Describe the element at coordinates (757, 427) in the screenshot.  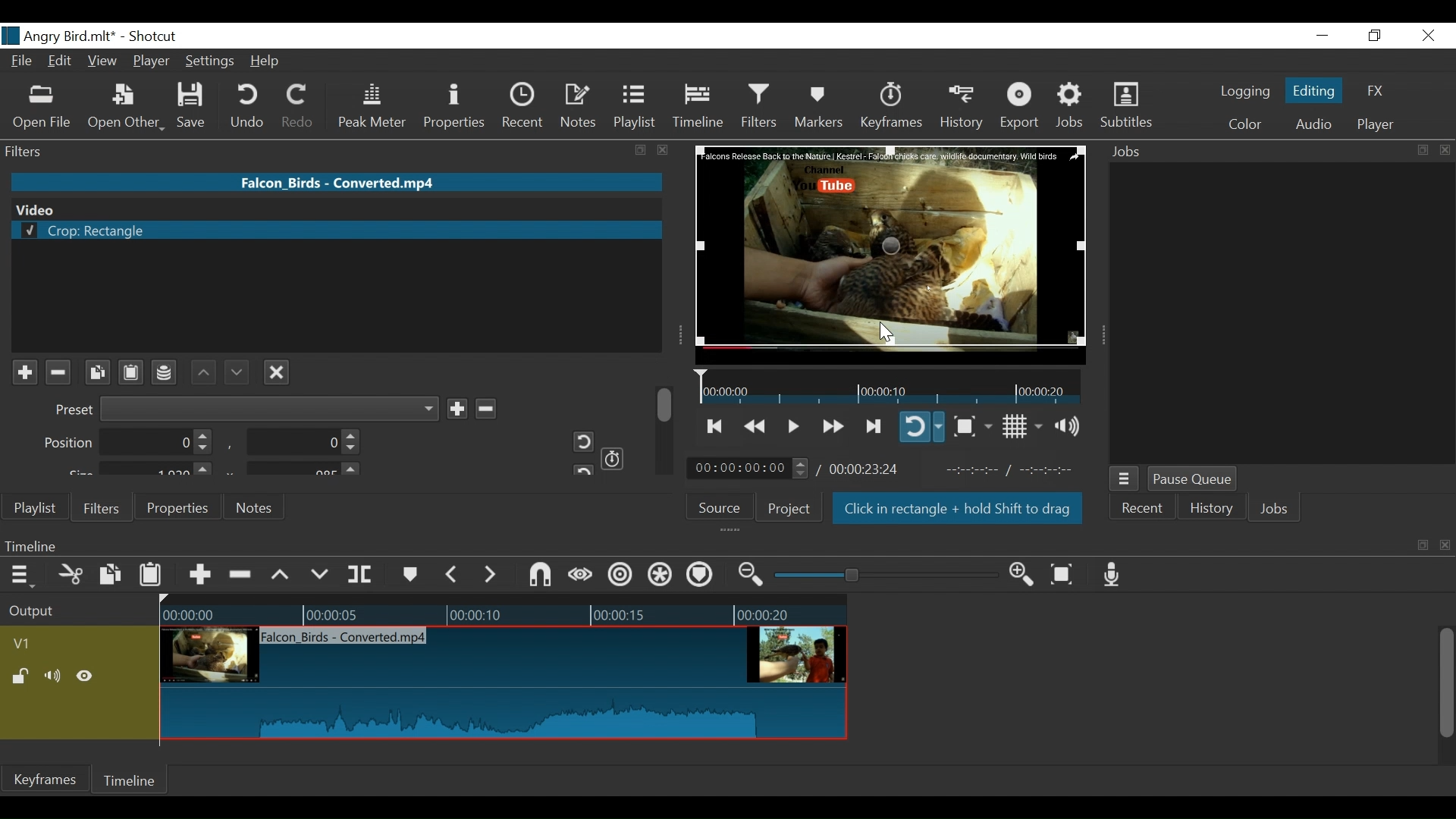
I see `Play backward quickly` at that location.